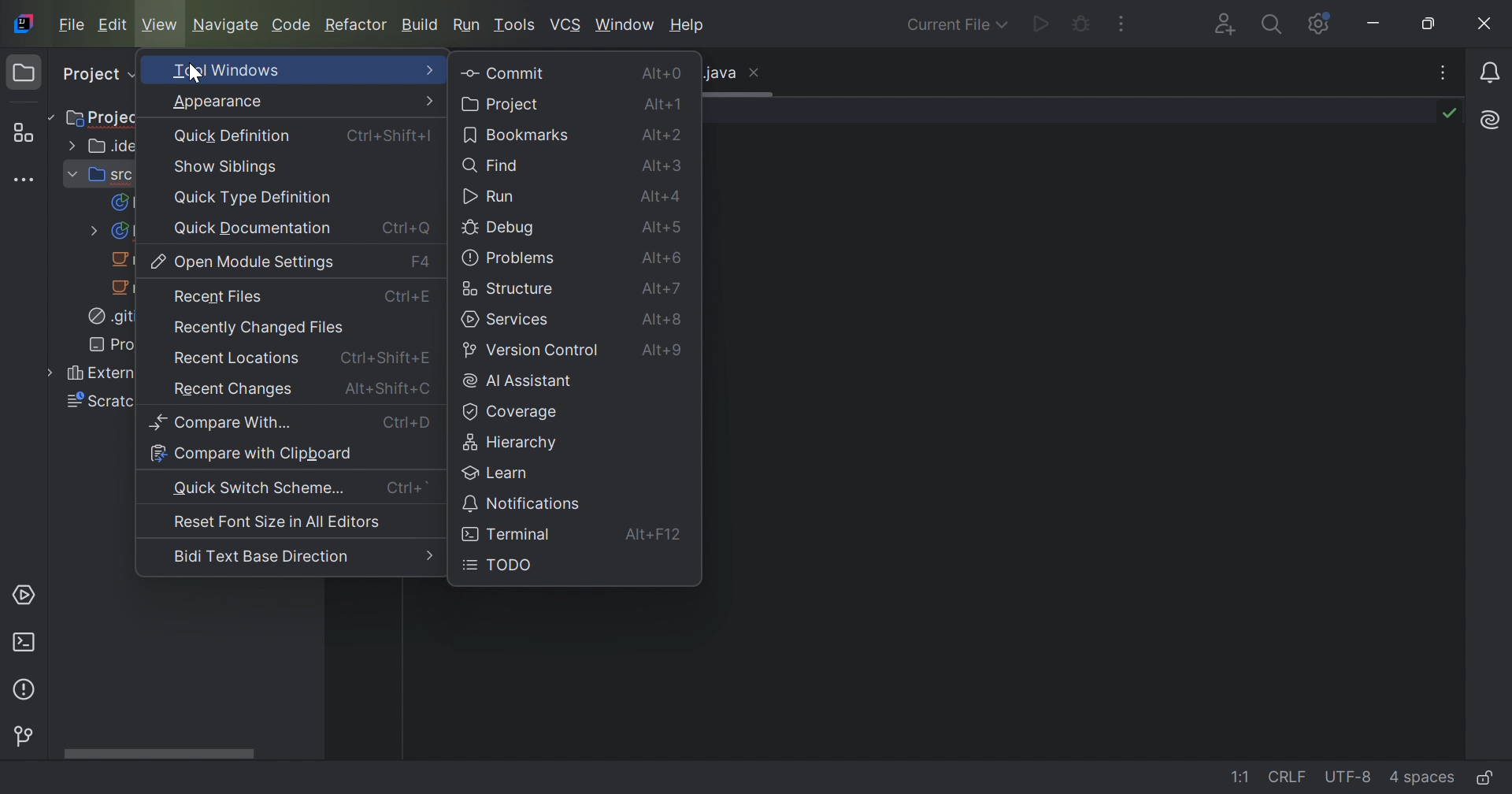 This screenshot has height=794, width=1512. What do you see at coordinates (218, 297) in the screenshot?
I see `Recent Files` at bounding box center [218, 297].